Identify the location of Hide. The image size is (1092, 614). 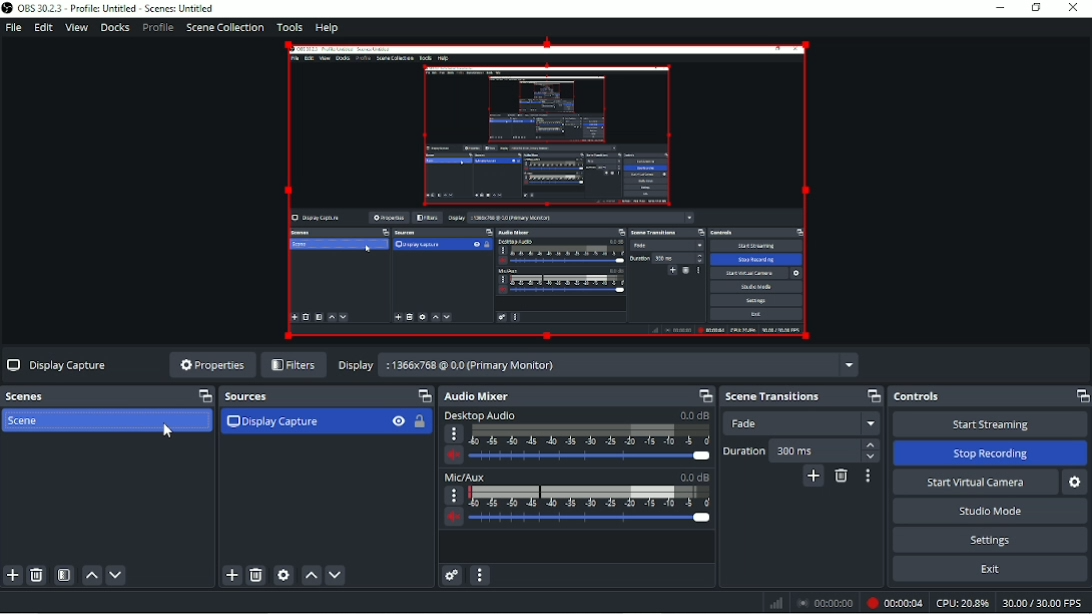
(398, 423).